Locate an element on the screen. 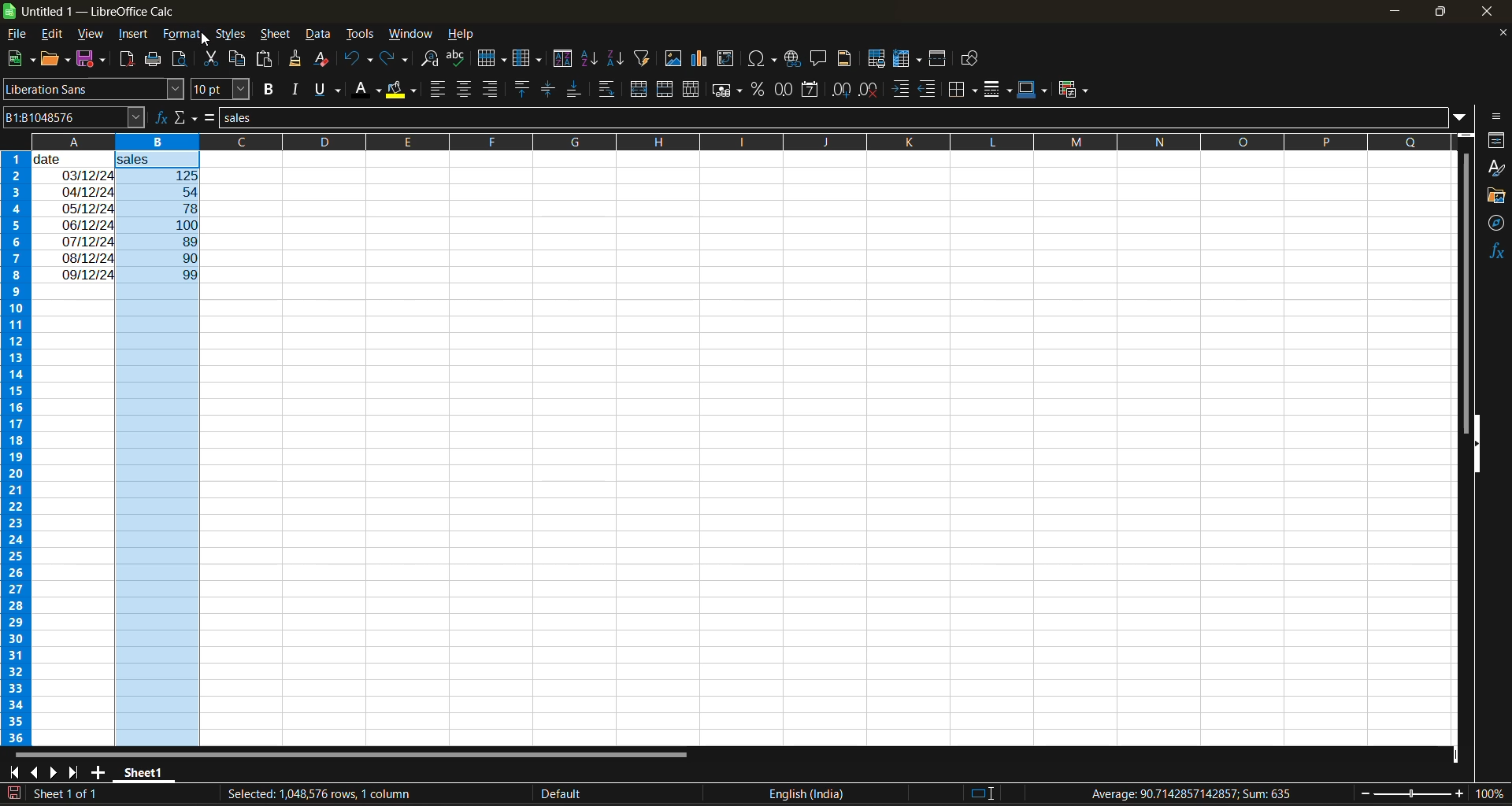  sort ascending is located at coordinates (593, 59).